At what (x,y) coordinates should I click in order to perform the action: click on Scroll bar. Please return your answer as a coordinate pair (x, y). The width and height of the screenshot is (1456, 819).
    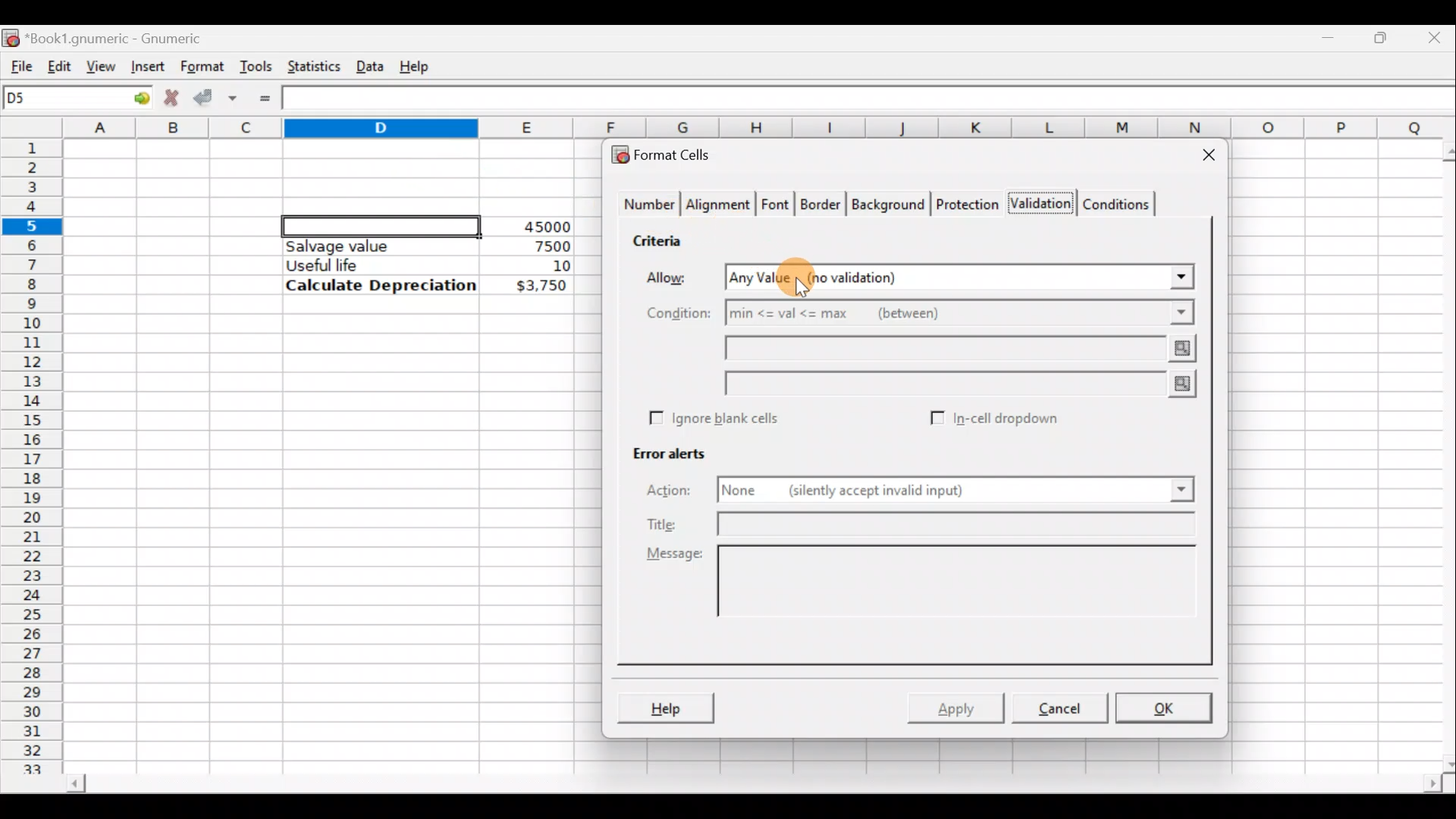
    Looking at the image, I should click on (752, 786).